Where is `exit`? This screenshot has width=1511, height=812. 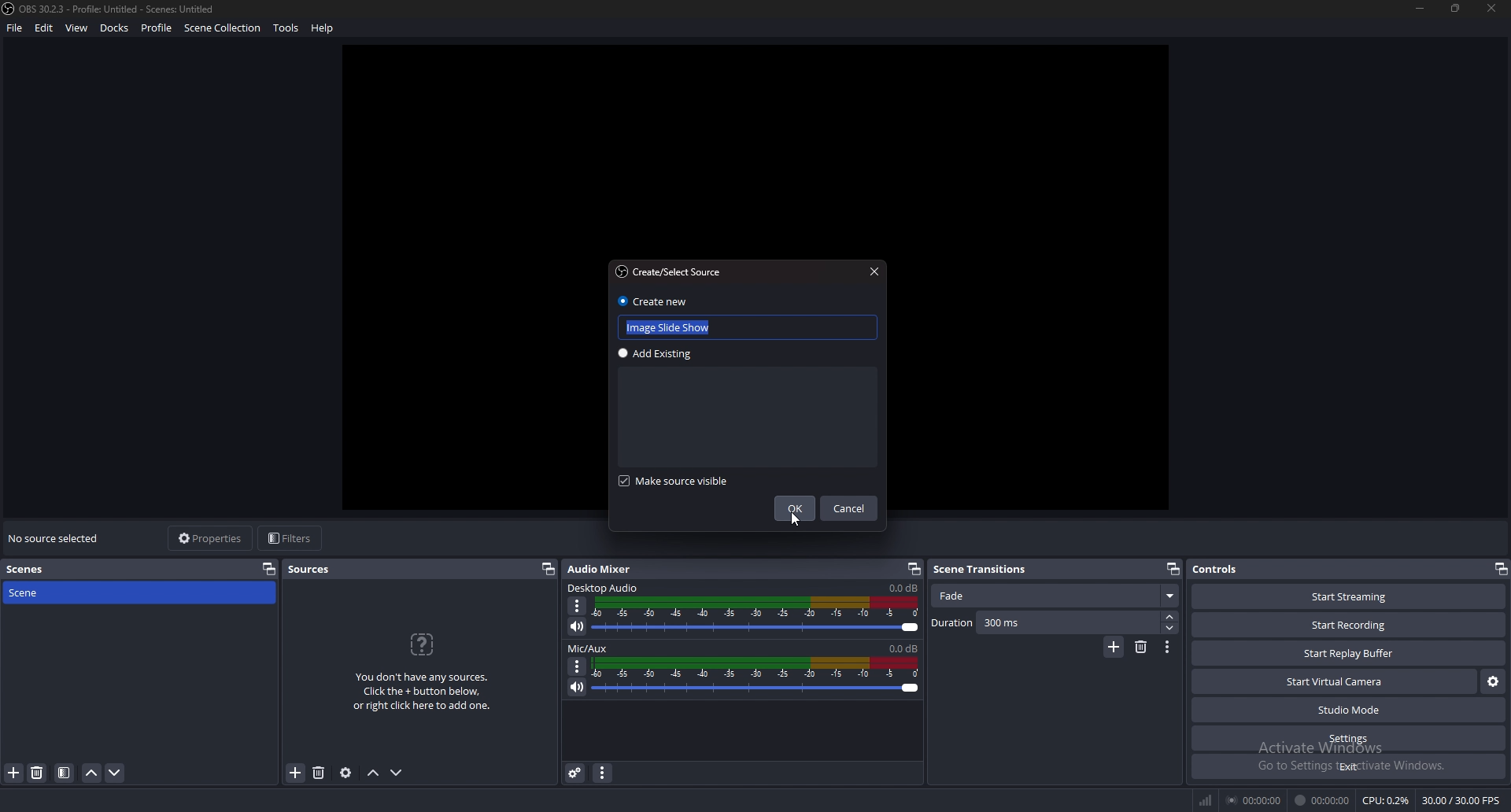
exit is located at coordinates (1347, 766).